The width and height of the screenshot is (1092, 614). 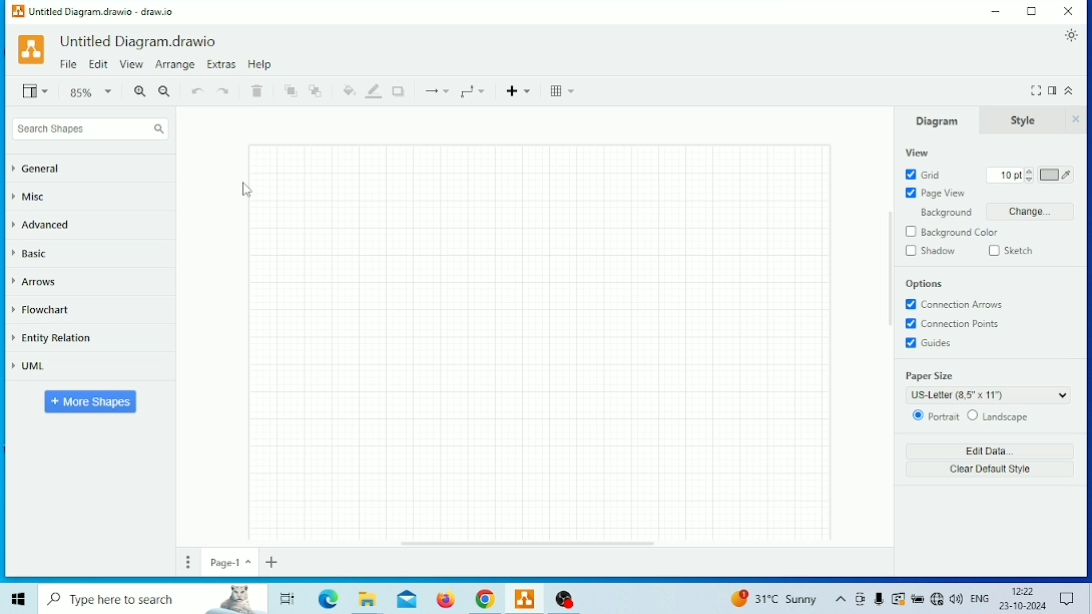 I want to click on View, so click(x=38, y=90).